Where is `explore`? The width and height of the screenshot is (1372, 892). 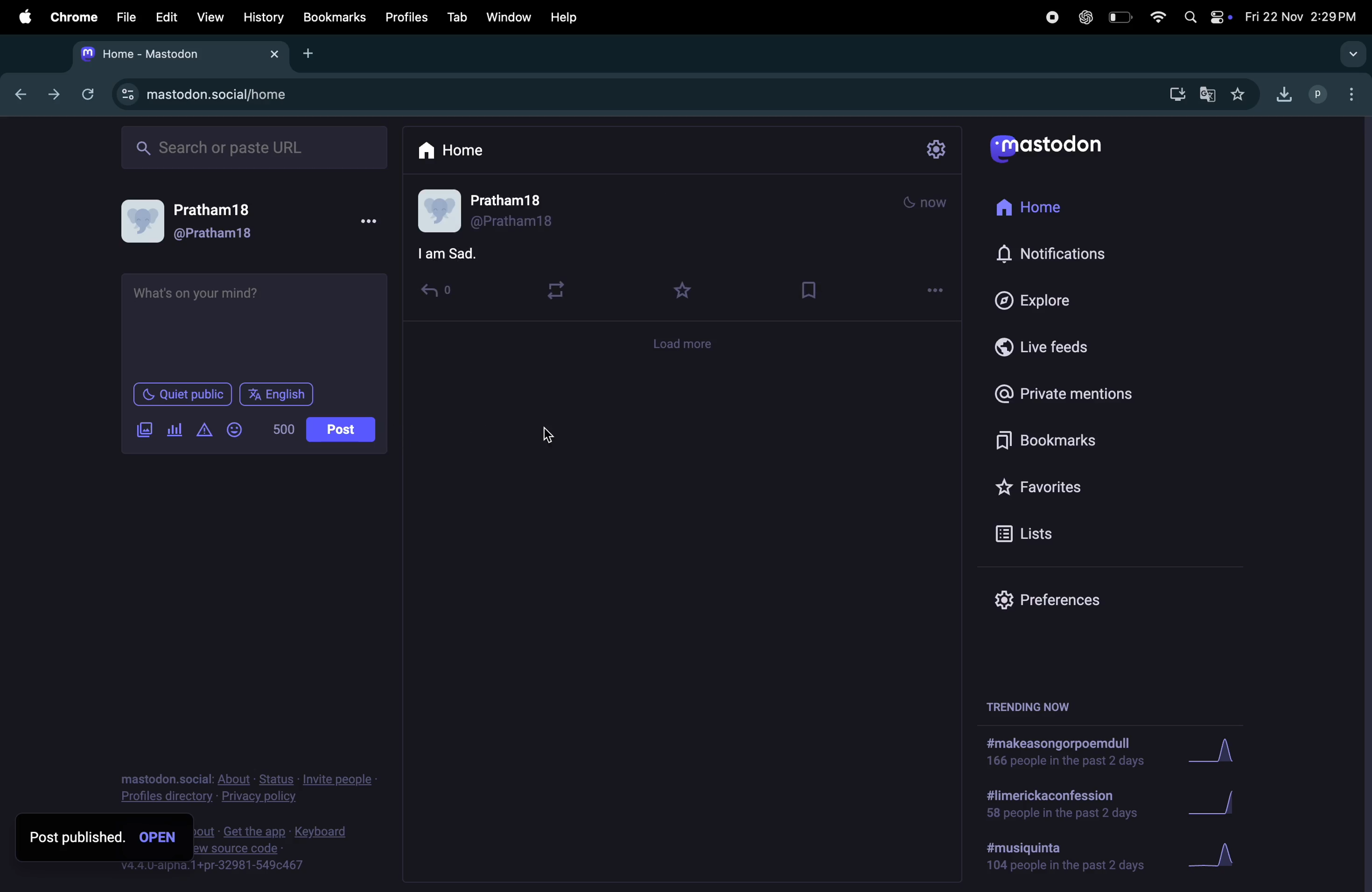 explore is located at coordinates (1080, 300).